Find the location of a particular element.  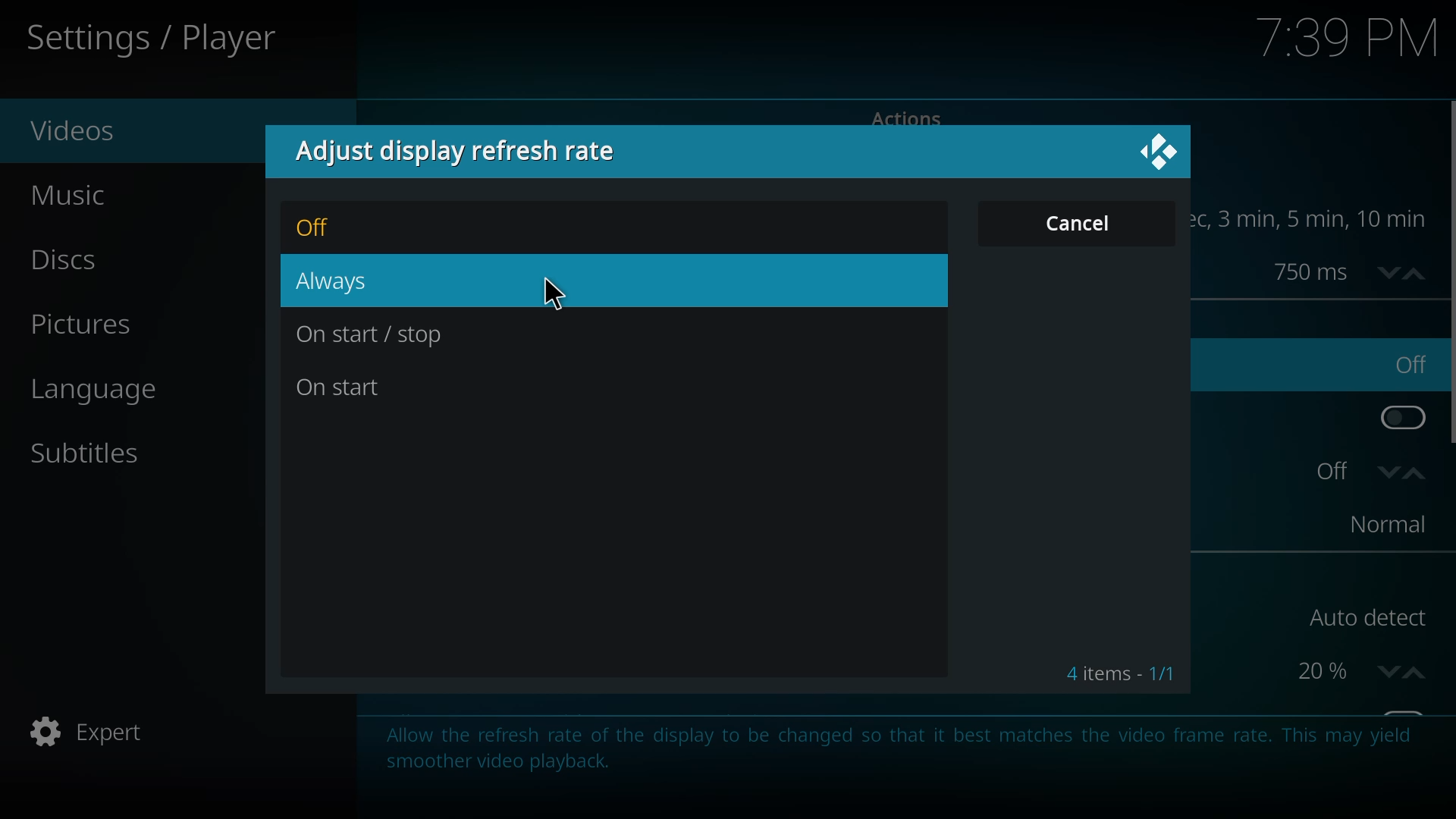

adjust display refresh rate is located at coordinates (469, 152).